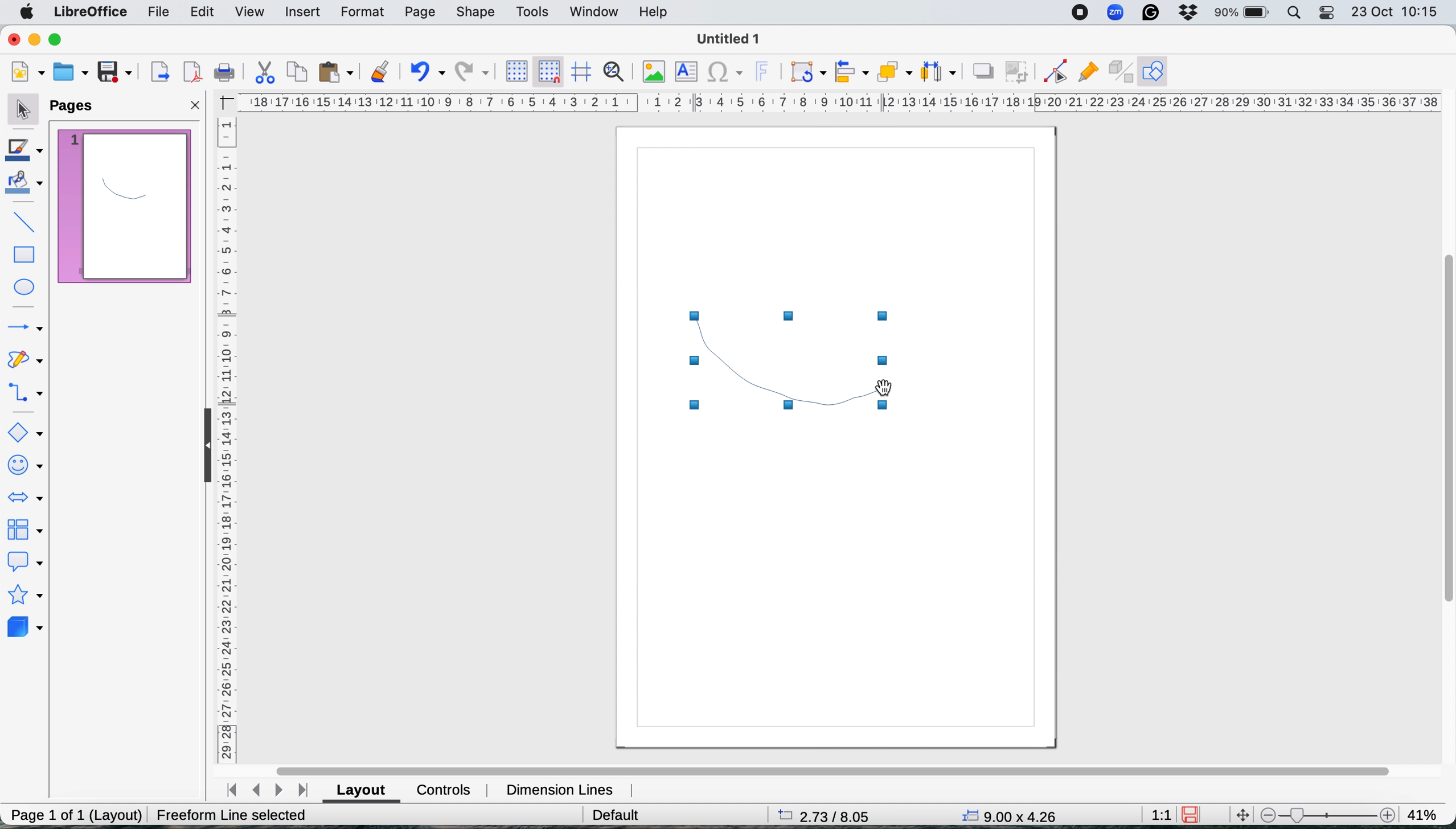  I want to click on redo, so click(473, 73).